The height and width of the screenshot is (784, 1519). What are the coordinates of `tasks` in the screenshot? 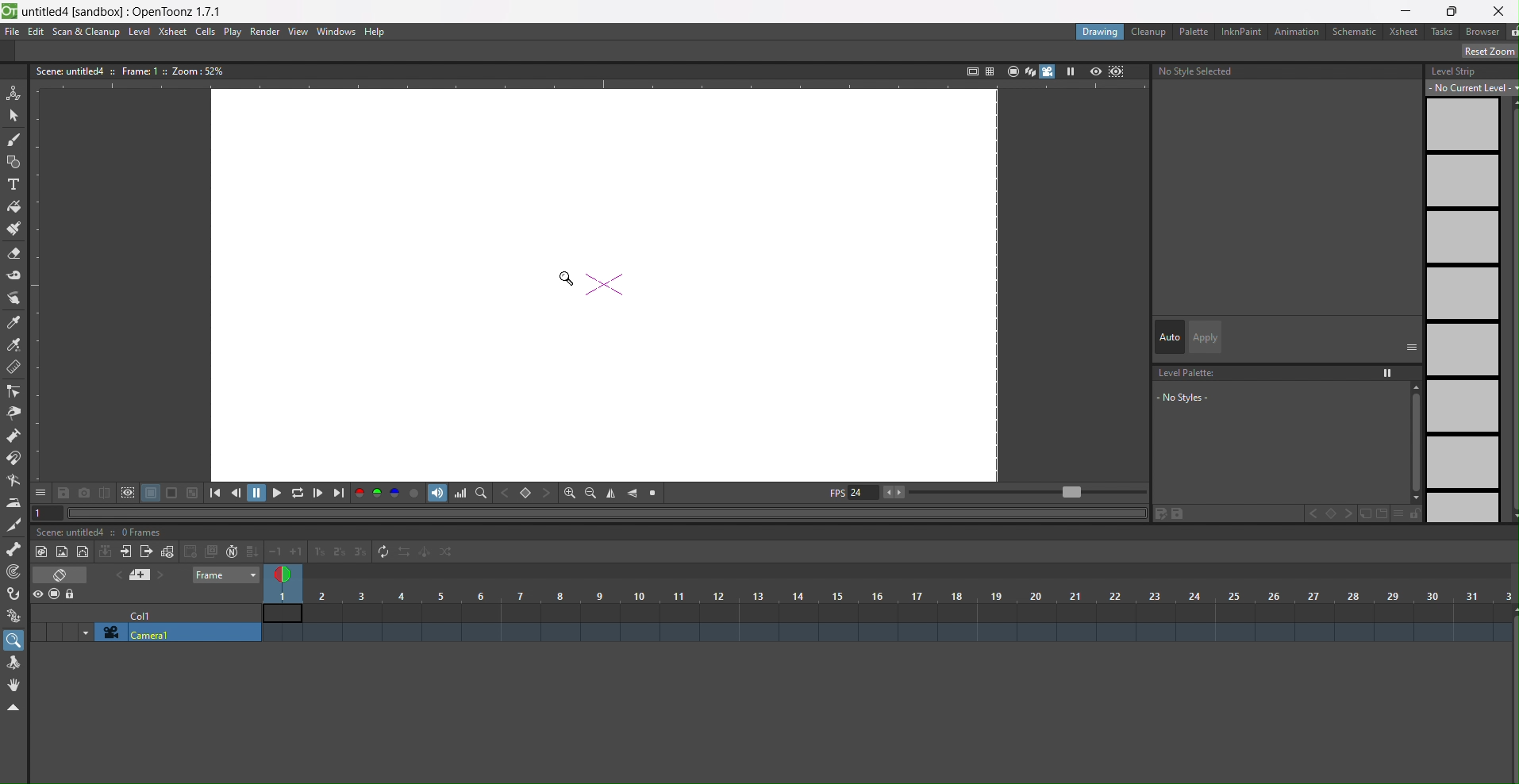 It's located at (1444, 33).